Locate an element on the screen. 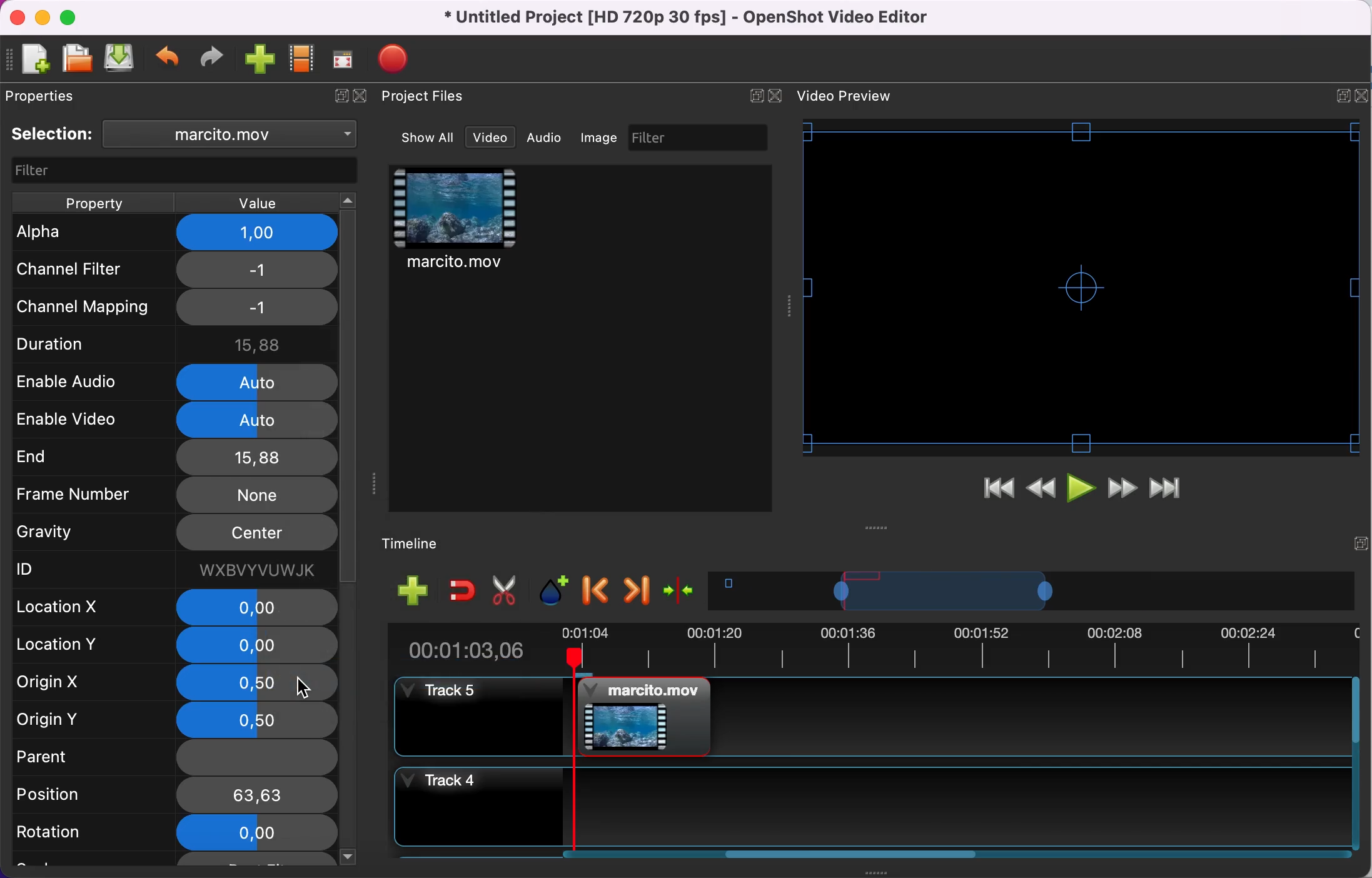  undo is located at coordinates (169, 59).